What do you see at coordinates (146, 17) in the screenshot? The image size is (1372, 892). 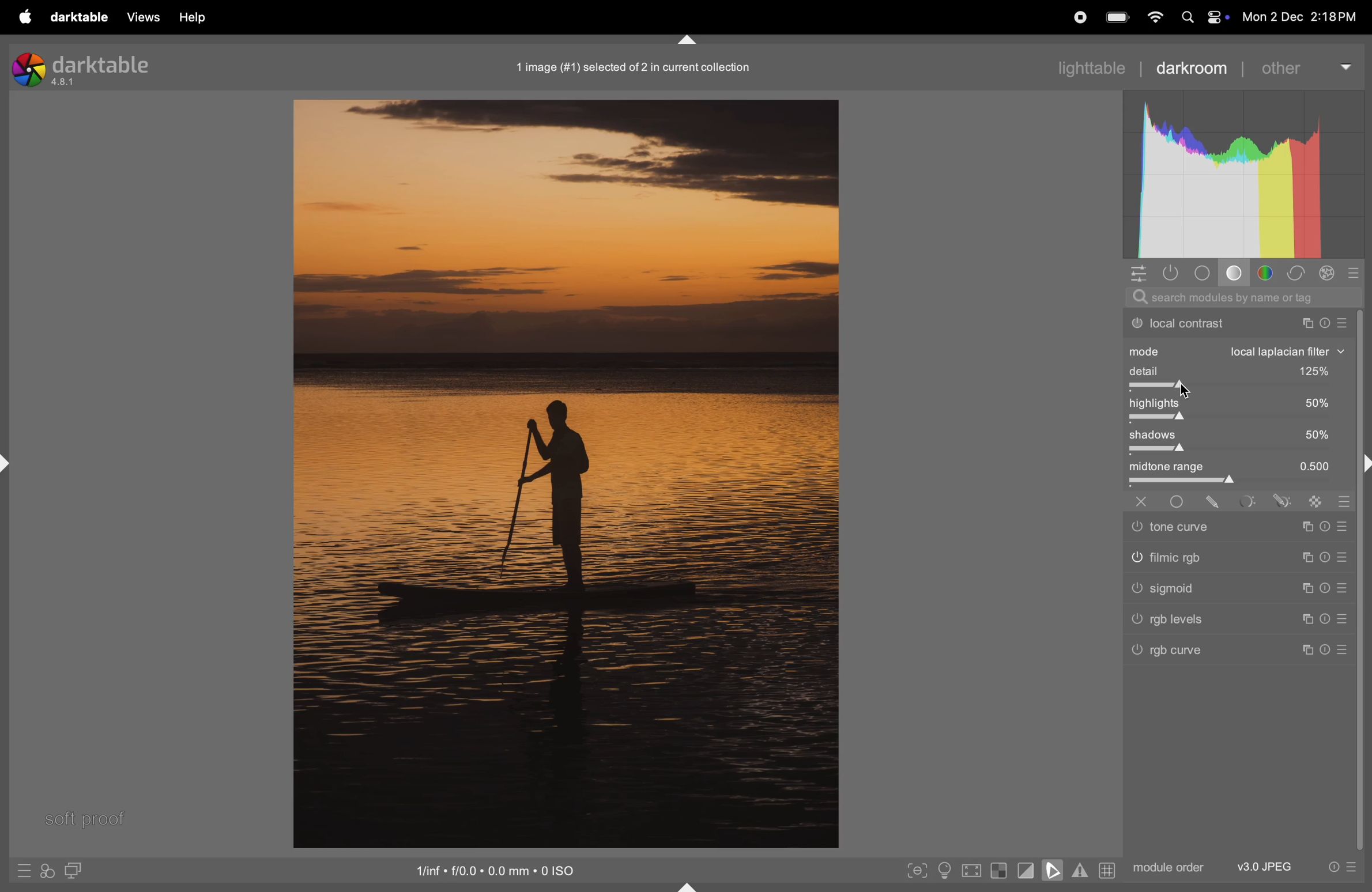 I see `views` at bounding box center [146, 17].